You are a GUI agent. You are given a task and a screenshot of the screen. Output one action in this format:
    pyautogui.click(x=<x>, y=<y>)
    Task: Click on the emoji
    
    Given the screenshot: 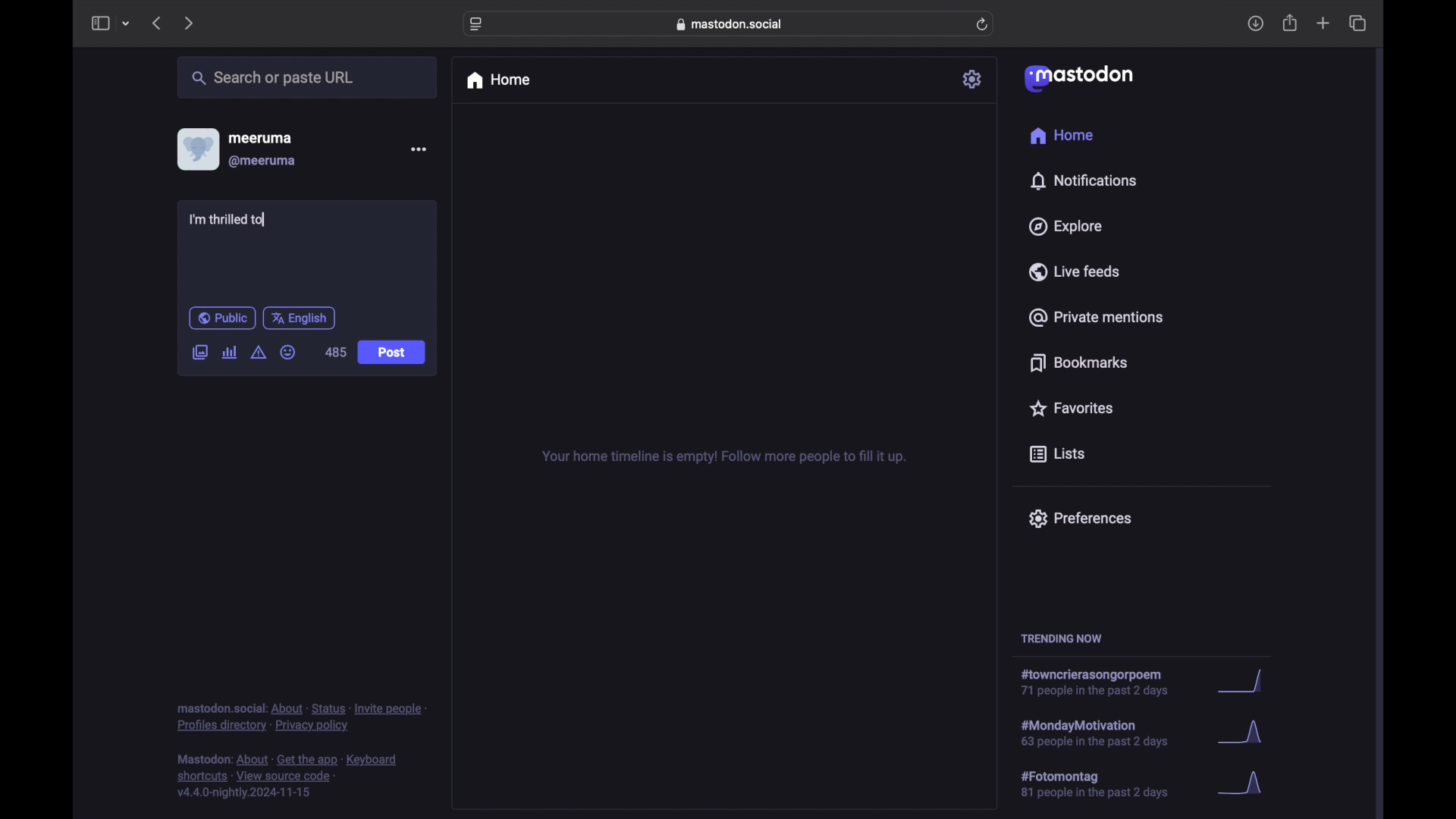 What is the action you would take?
    pyautogui.click(x=287, y=352)
    